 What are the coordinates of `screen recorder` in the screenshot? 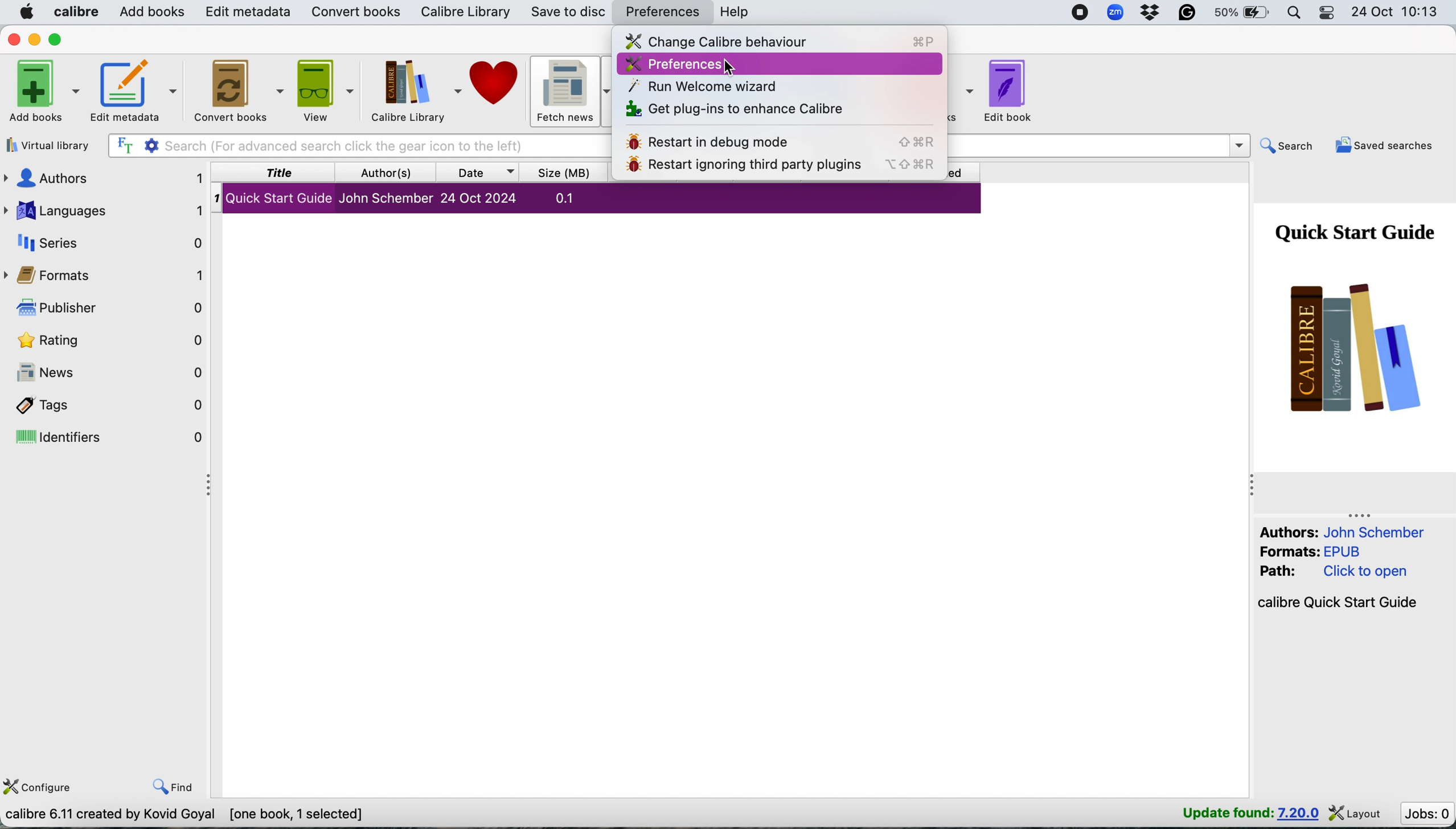 It's located at (1078, 12).